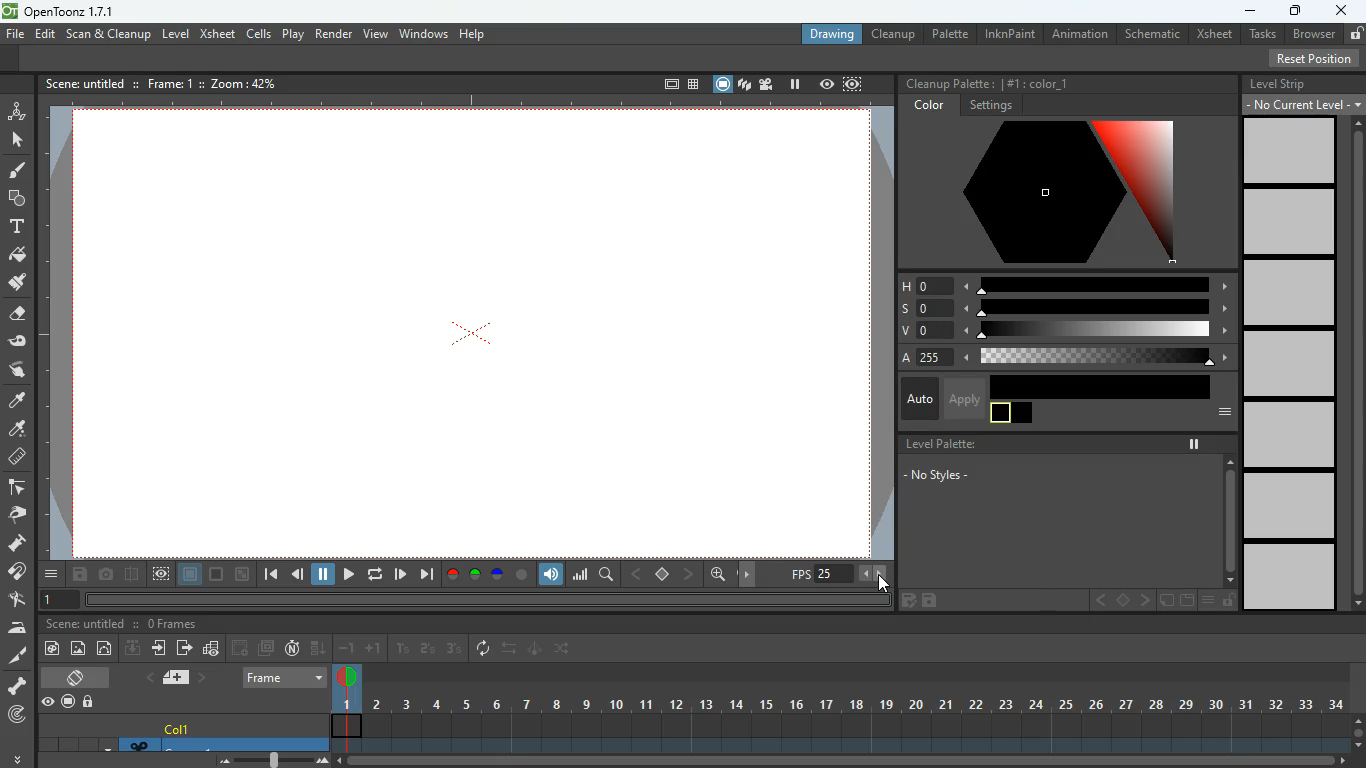  I want to click on unlocked, so click(1355, 34).